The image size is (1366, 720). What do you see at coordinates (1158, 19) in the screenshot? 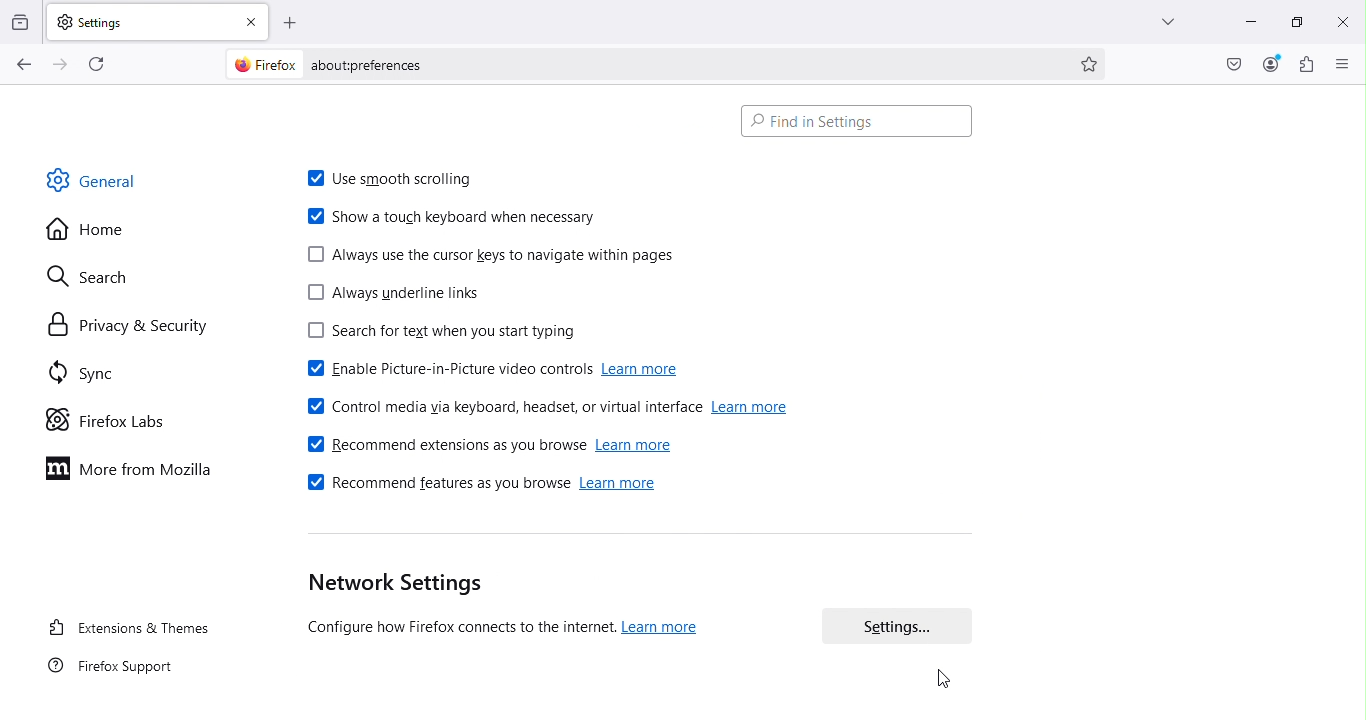
I see `List all tabs` at bounding box center [1158, 19].